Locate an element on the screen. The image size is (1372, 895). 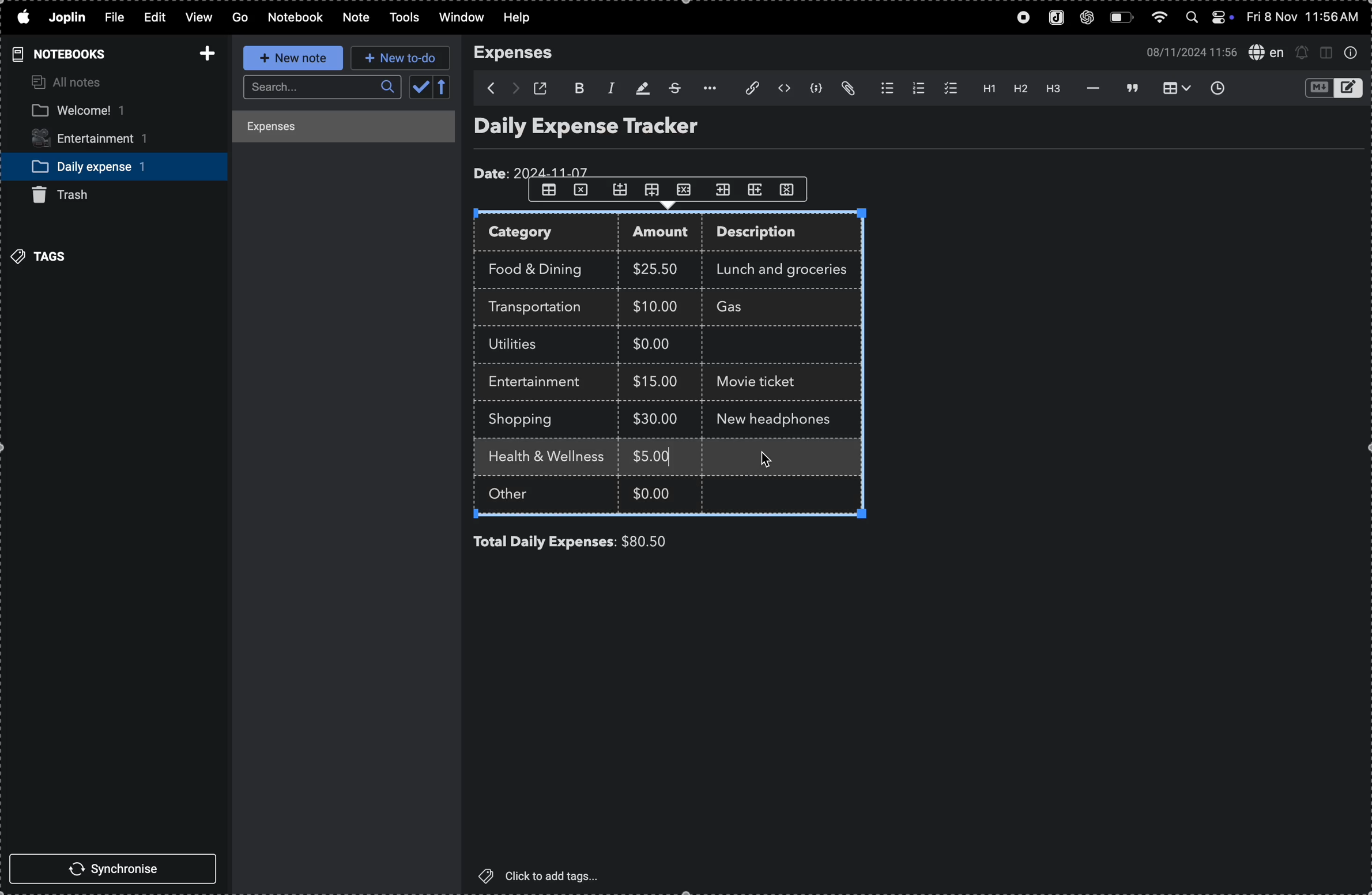
bold is located at coordinates (578, 87).